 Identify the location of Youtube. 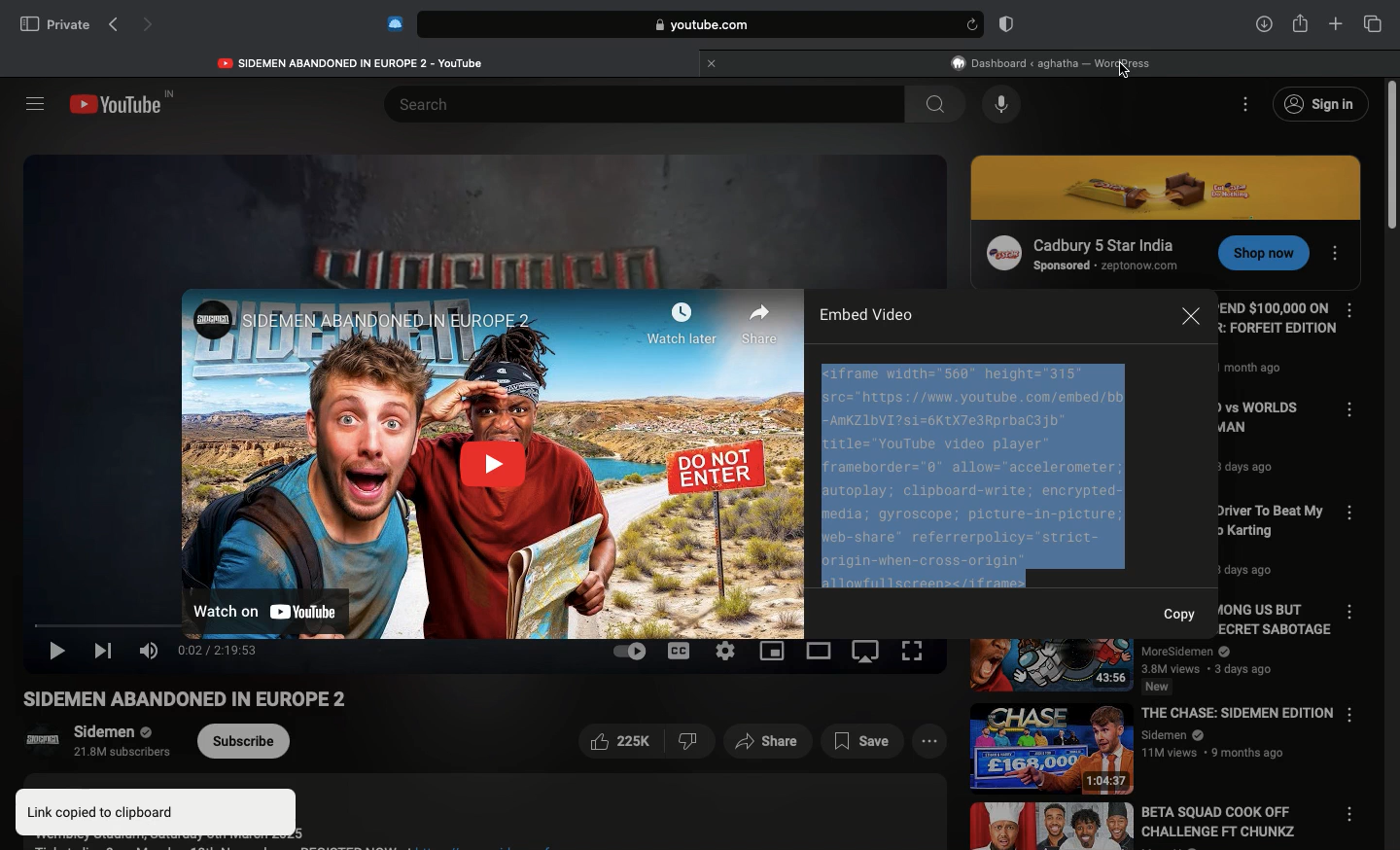
(125, 104).